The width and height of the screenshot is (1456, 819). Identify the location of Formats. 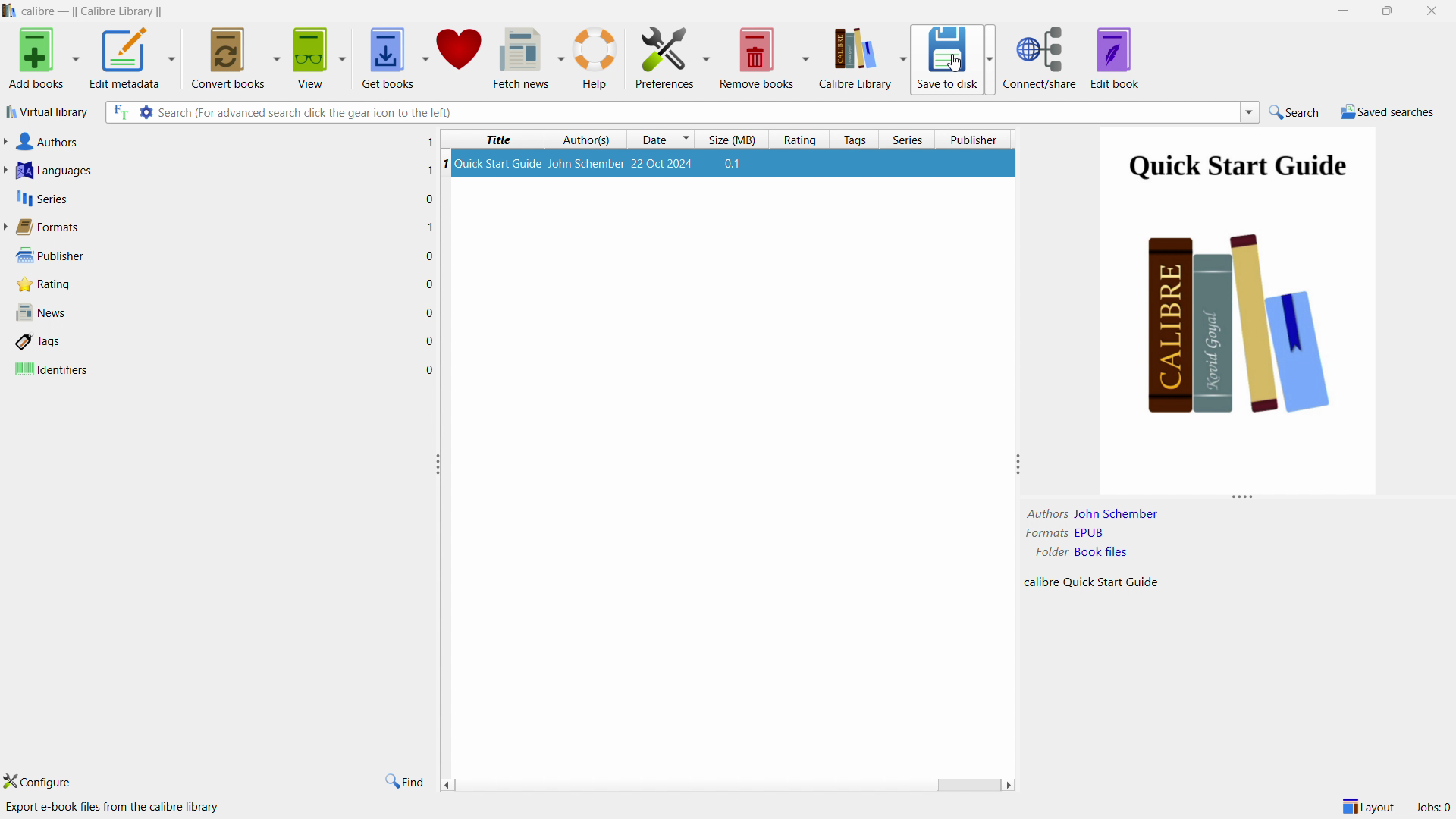
(1043, 532).